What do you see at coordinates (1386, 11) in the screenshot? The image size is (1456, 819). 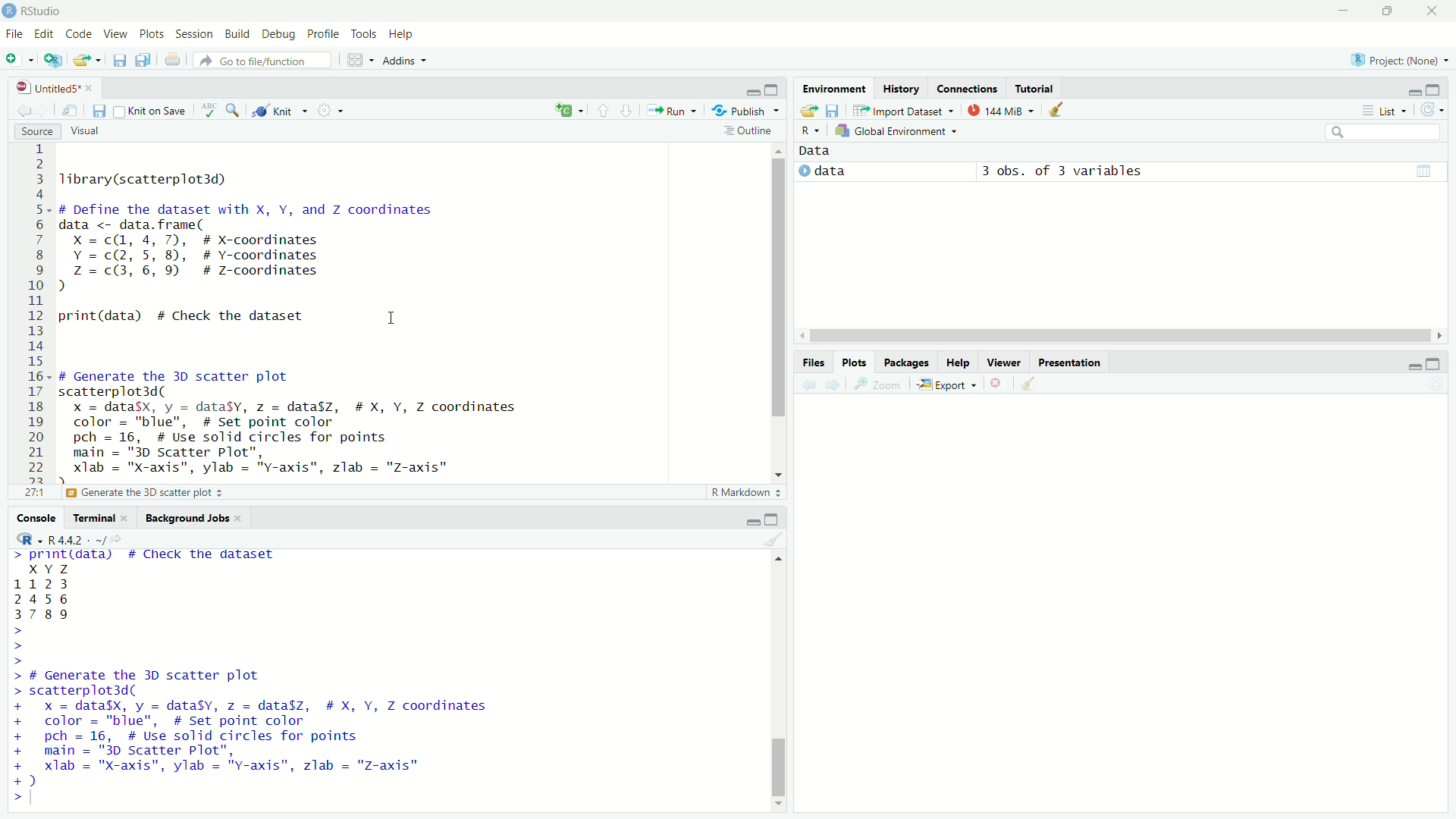 I see `Restore down` at bounding box center [1386, 11].